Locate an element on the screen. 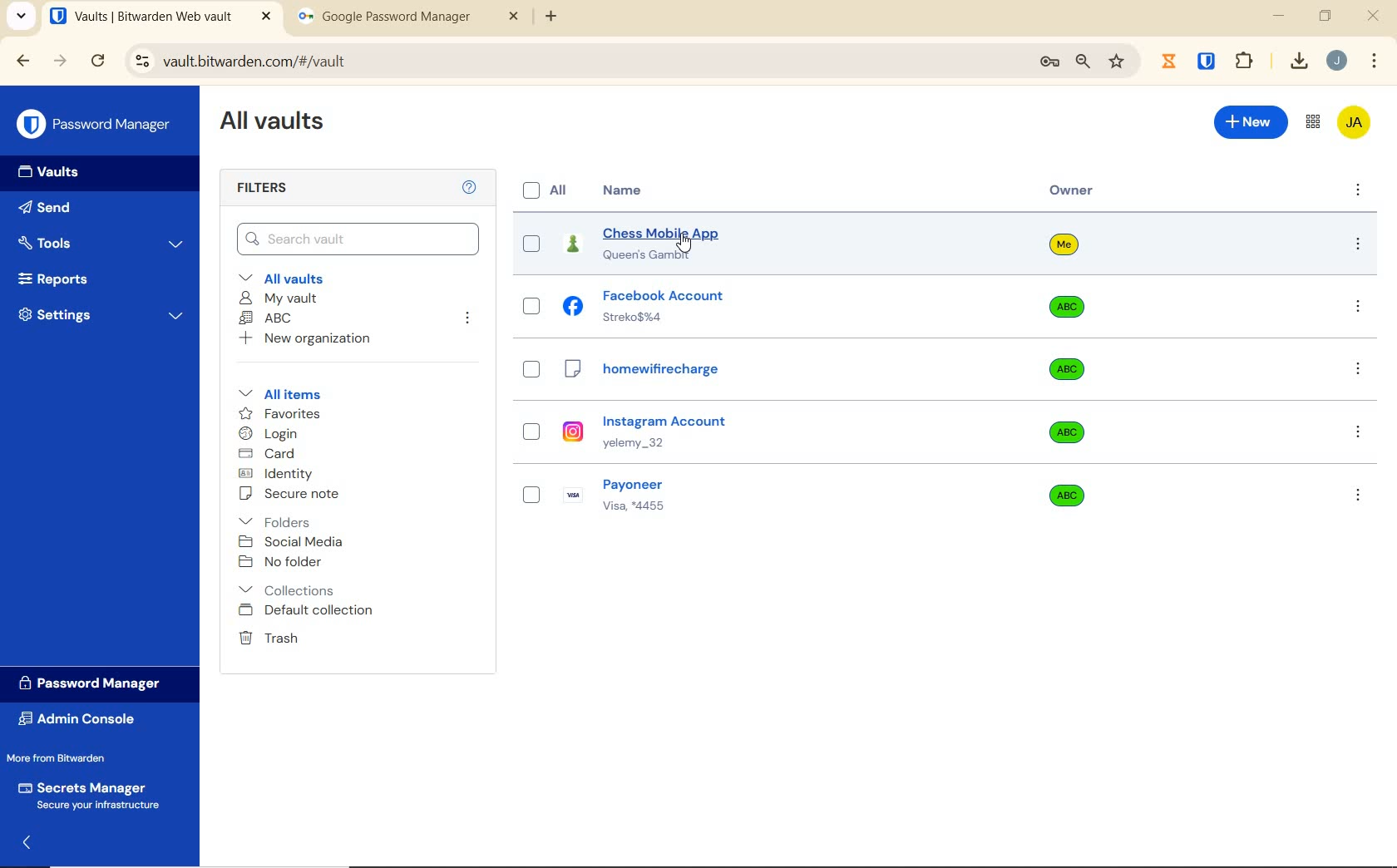 This screenshot has height=868, width=1397. toggle between admin console and password manager is located at coordinates (1312, 121).